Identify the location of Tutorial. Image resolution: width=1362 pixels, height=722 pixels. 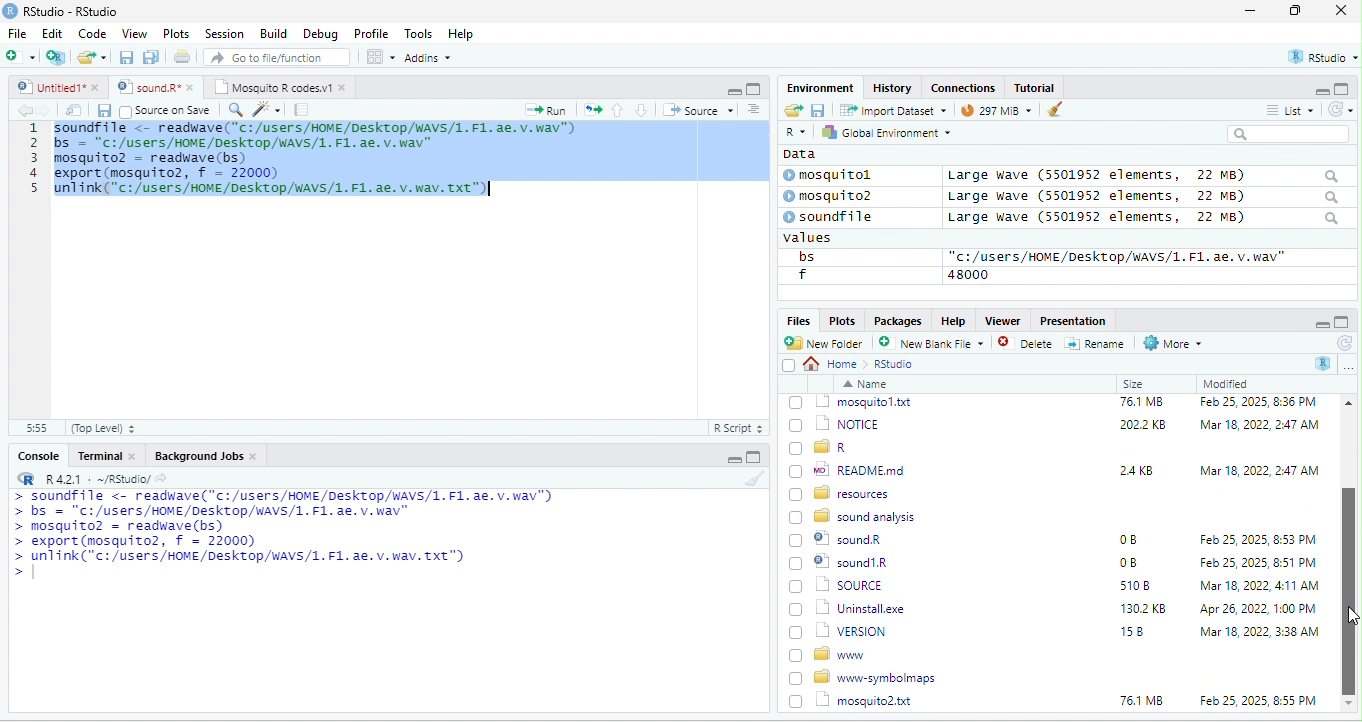
(1037, 87).